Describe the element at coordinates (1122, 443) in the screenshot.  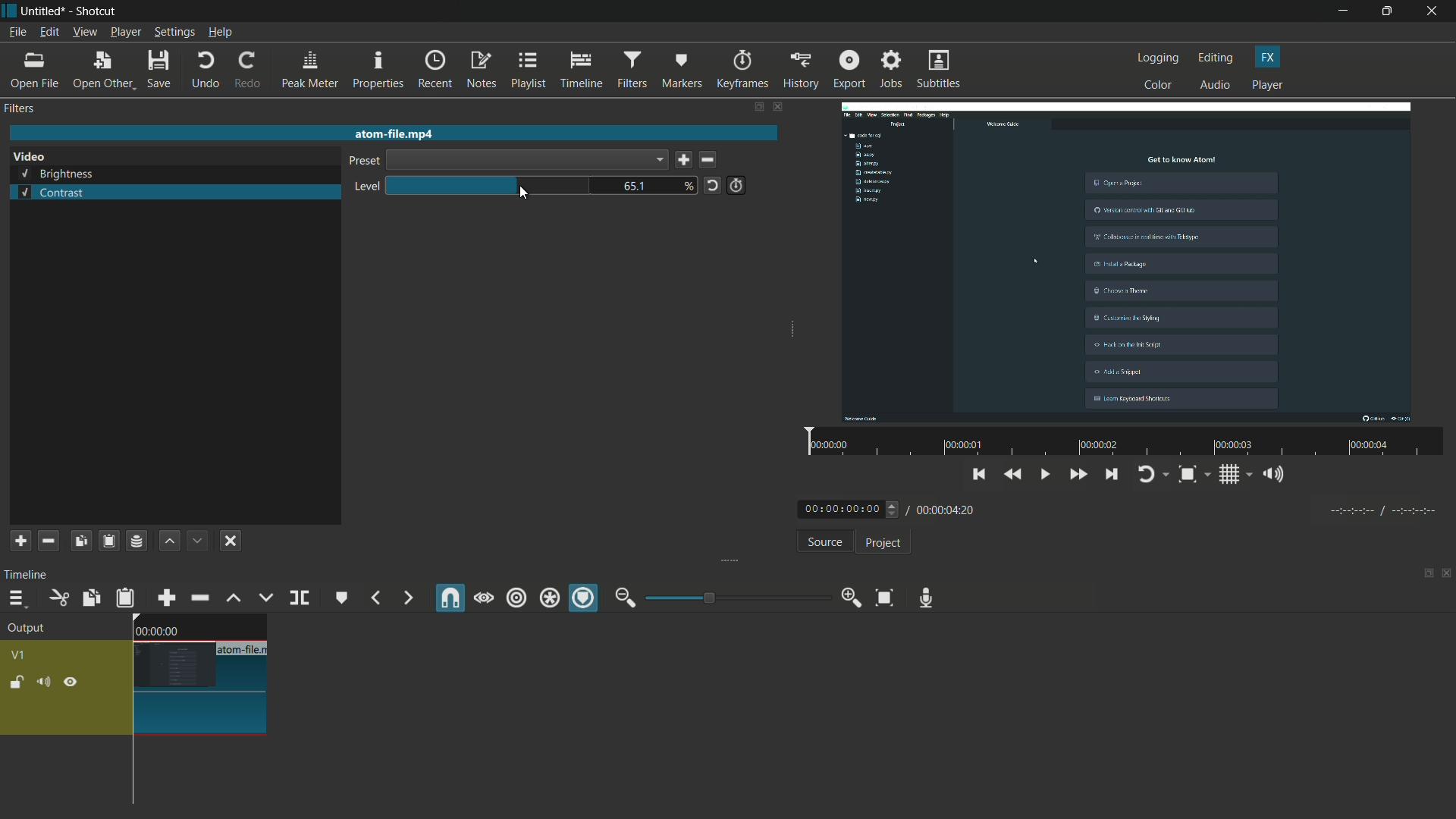
I see `video time` at that location.